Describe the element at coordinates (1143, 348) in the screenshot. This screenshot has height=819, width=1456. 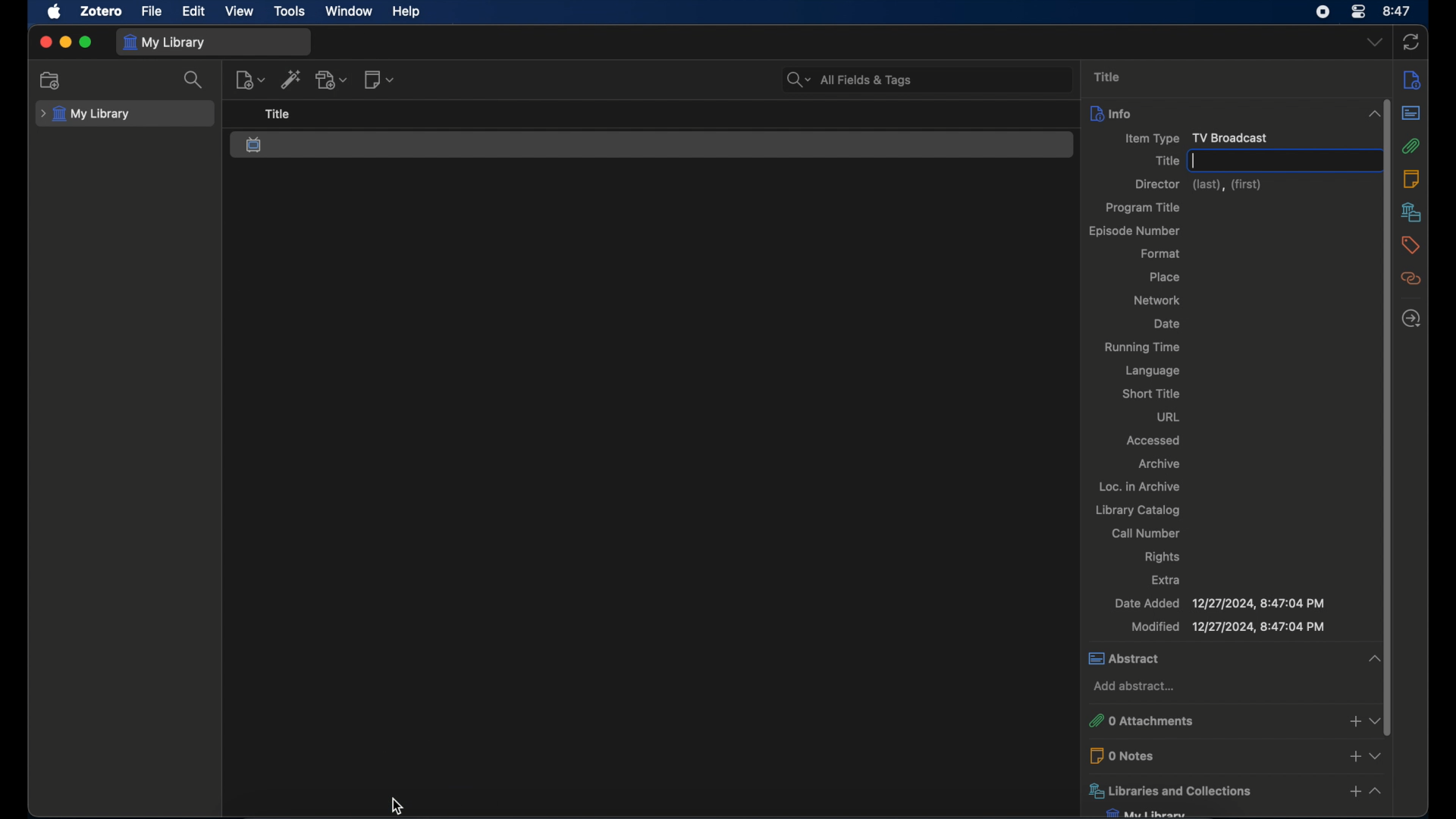
I see `running time` at that location.